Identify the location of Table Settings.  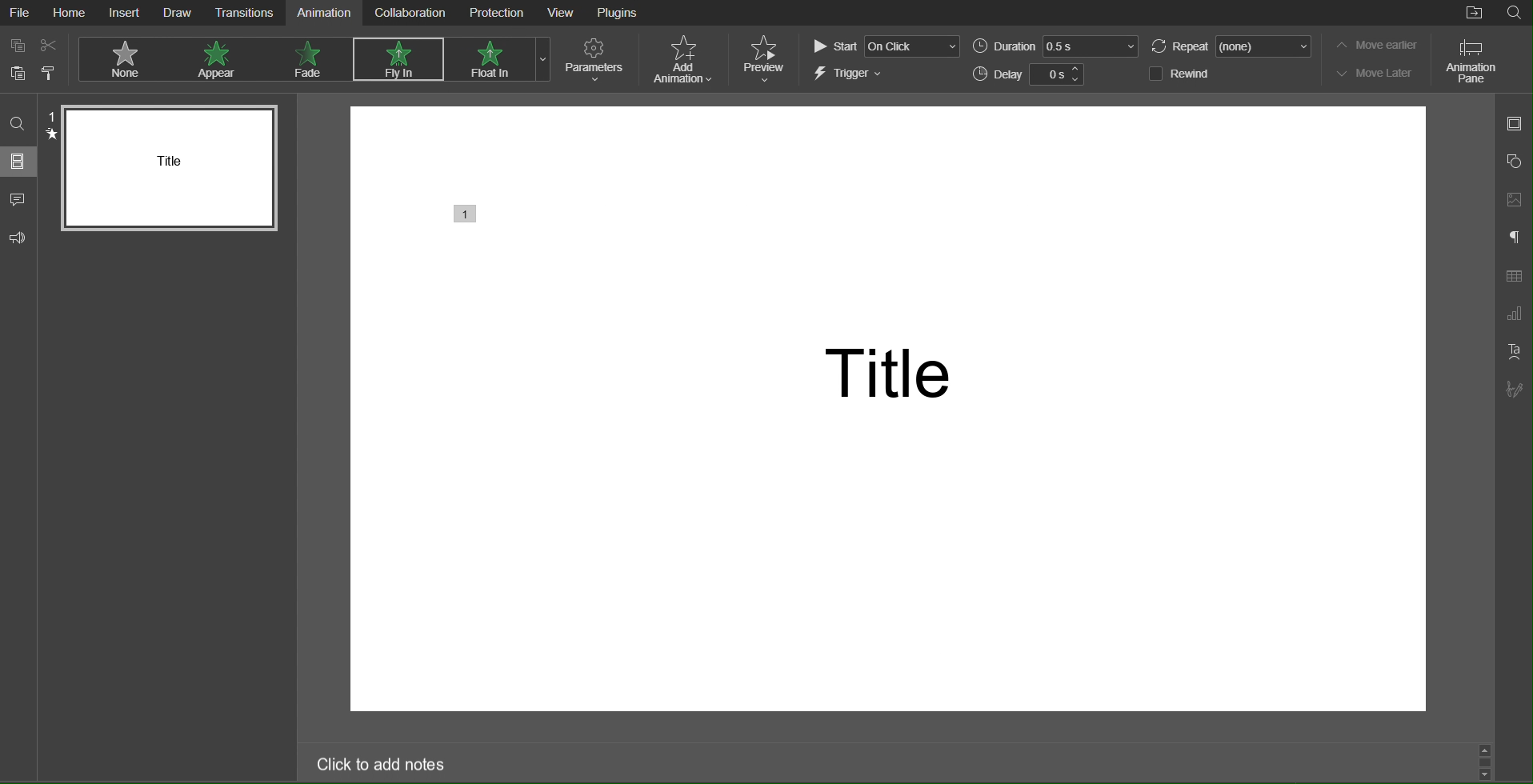
(1514, 277).